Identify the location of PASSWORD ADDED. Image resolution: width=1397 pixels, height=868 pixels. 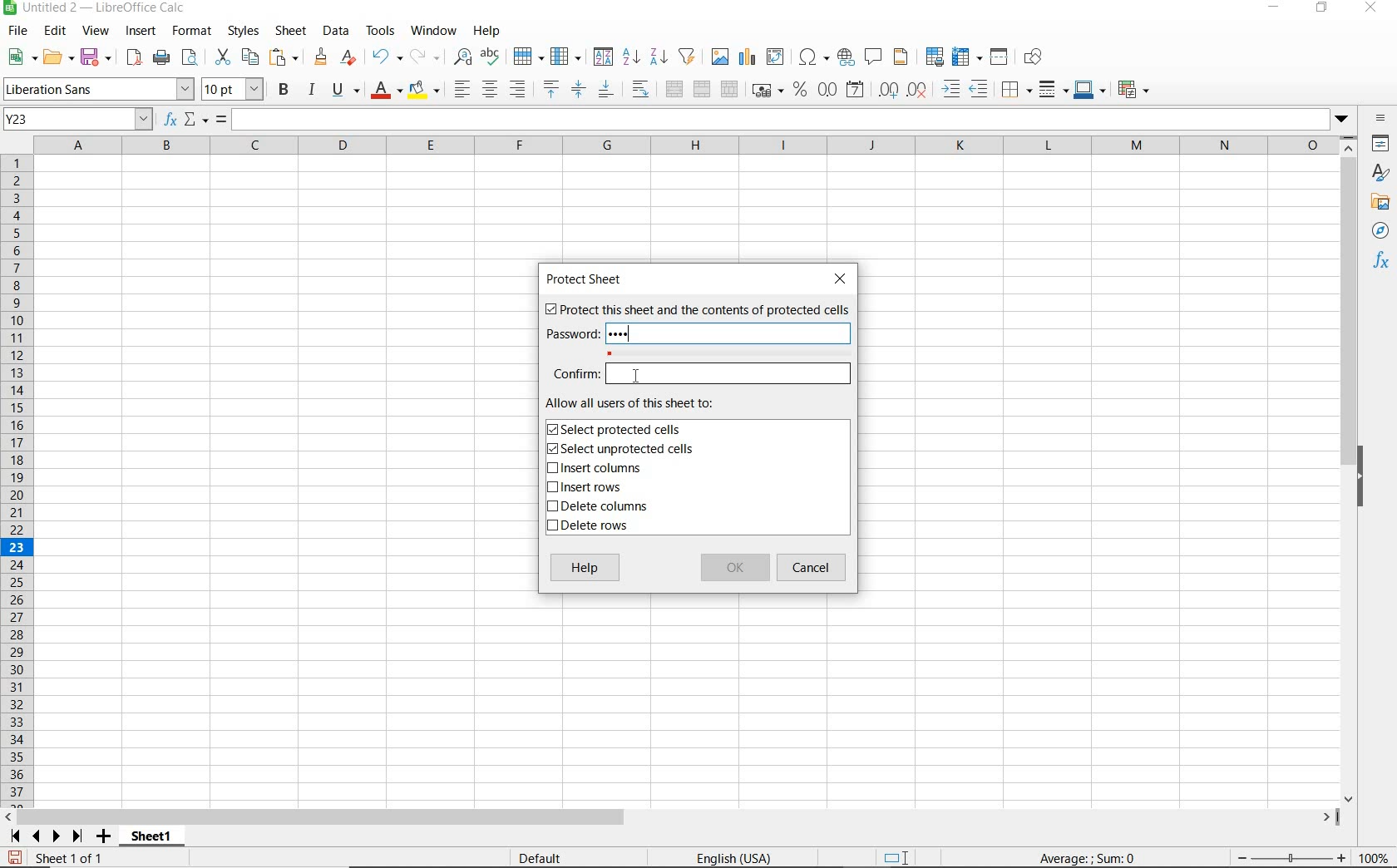
(624, 334).